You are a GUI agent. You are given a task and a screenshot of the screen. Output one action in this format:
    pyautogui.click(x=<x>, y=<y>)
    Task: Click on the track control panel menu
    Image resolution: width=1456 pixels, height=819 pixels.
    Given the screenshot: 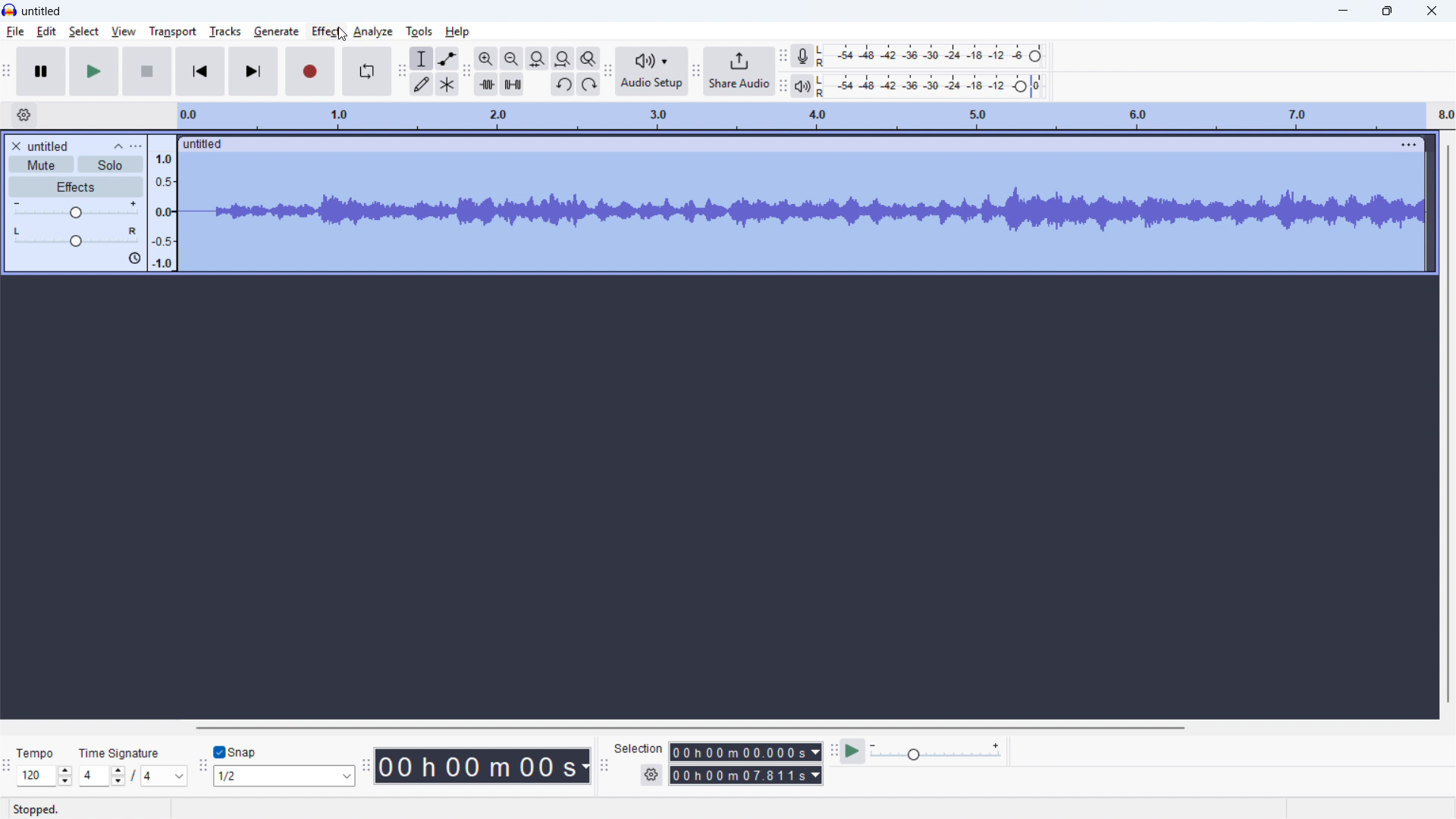 What is the action you would take?
    pyautogui.click(x=136, y=146)
    